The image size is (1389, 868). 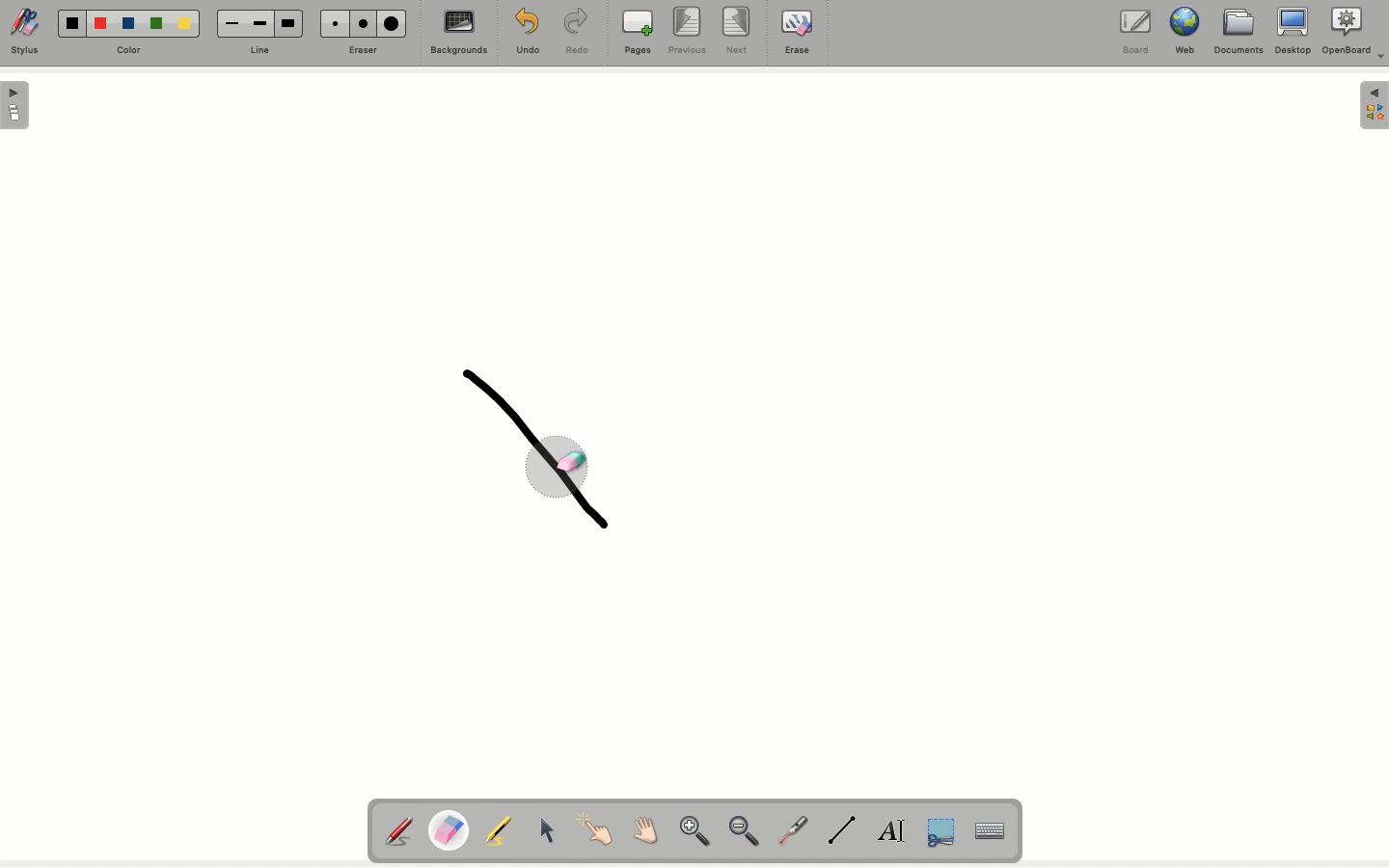 I want to click on Cursor, so click(x=545, y=827).